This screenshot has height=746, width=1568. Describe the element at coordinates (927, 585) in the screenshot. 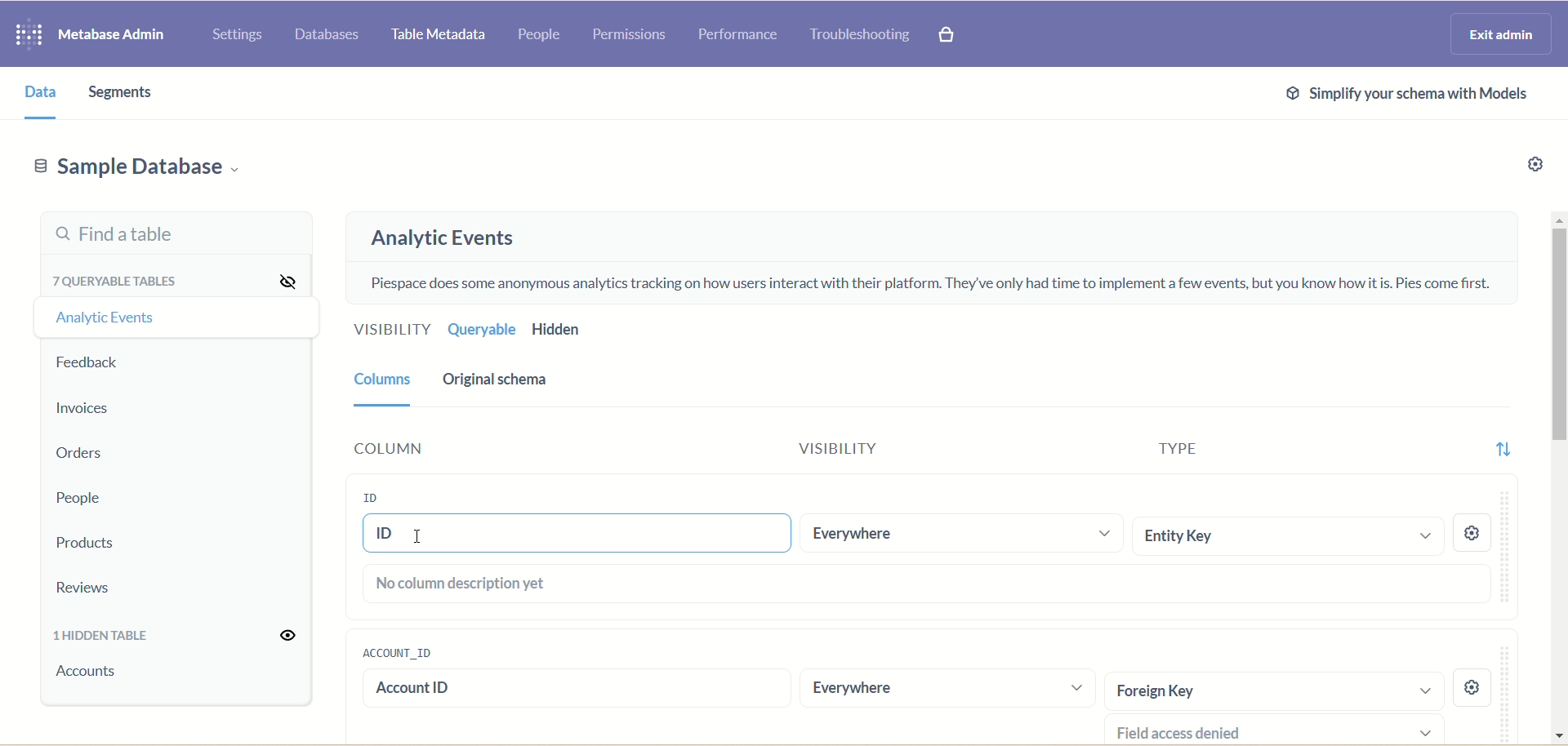

I see `No columns description` at that location.